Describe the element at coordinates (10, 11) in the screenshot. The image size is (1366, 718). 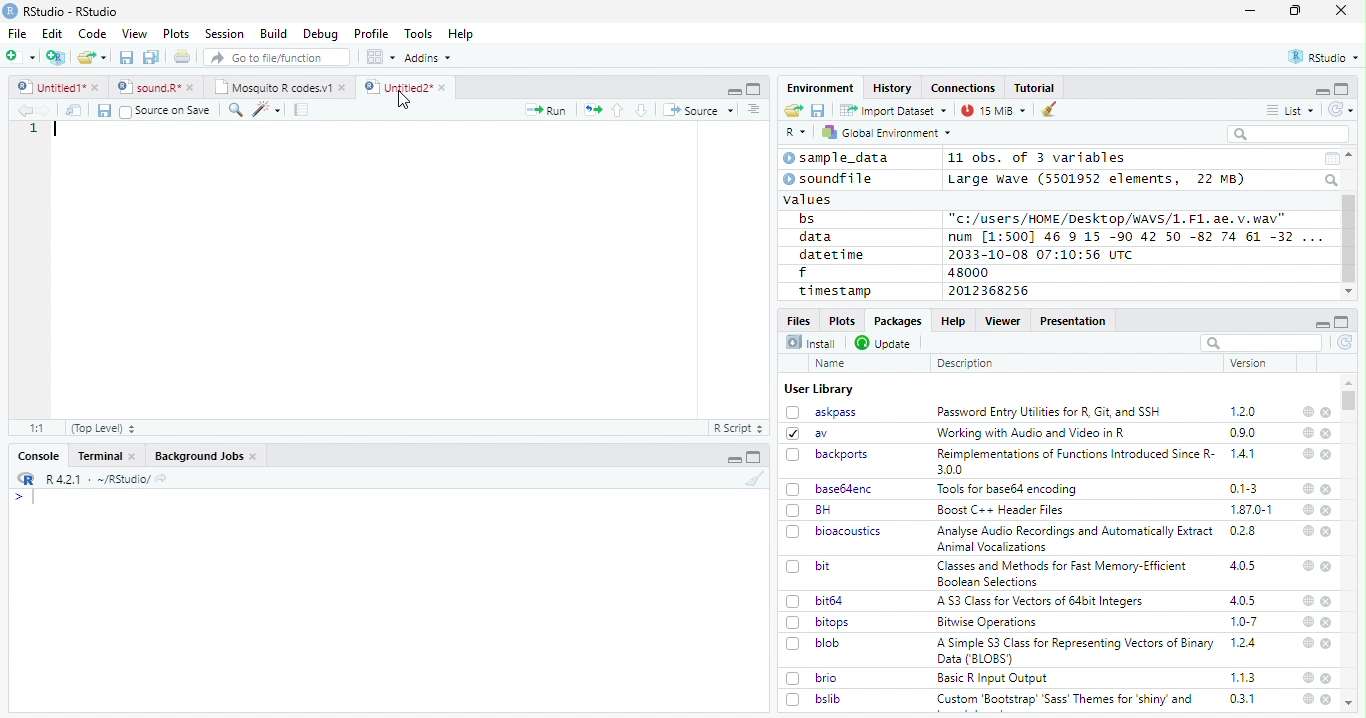
I see `logo` at that location.